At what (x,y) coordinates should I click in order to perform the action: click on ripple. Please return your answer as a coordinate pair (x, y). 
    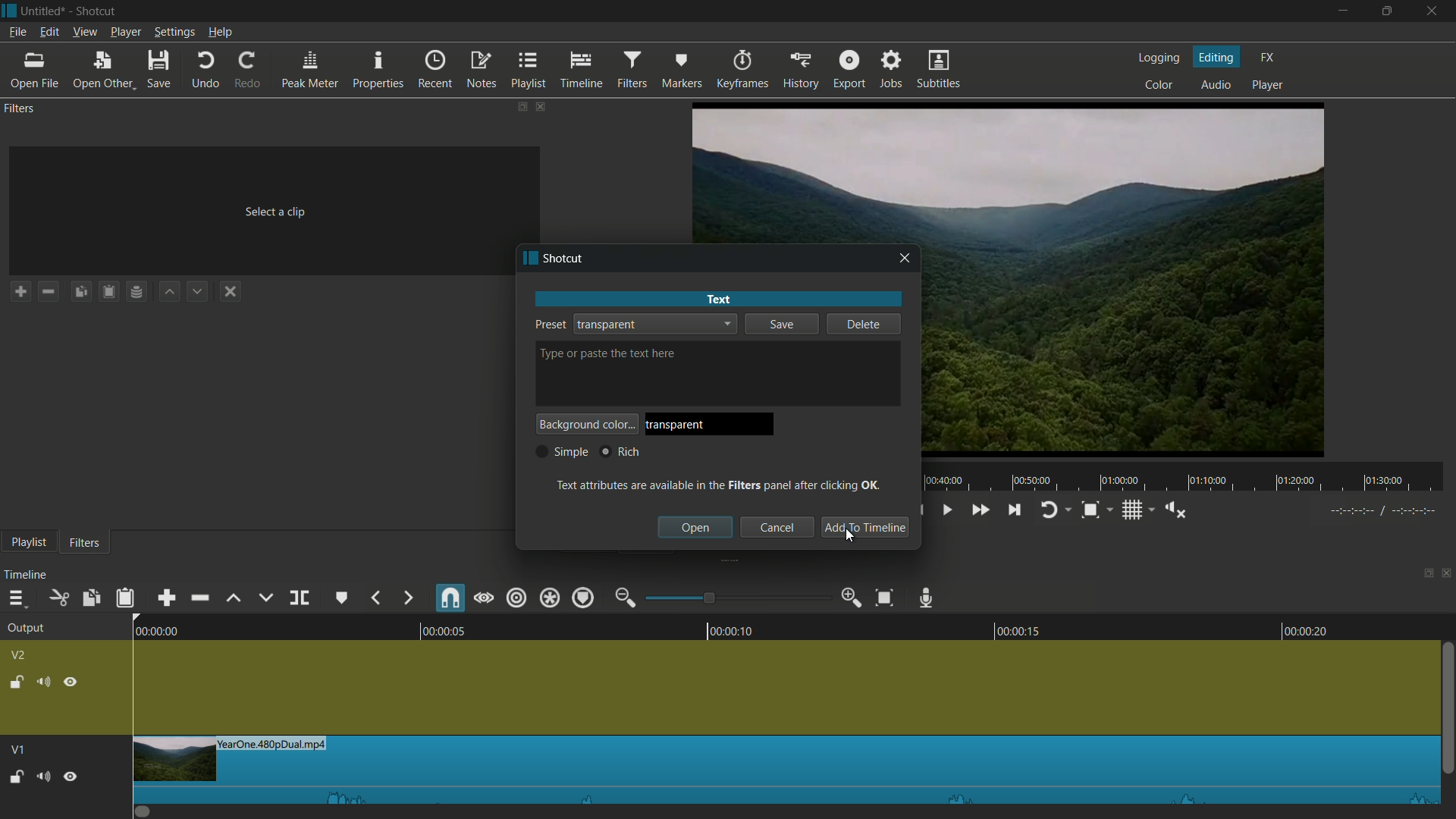
    Looking at the image, I should click on (518, 598).